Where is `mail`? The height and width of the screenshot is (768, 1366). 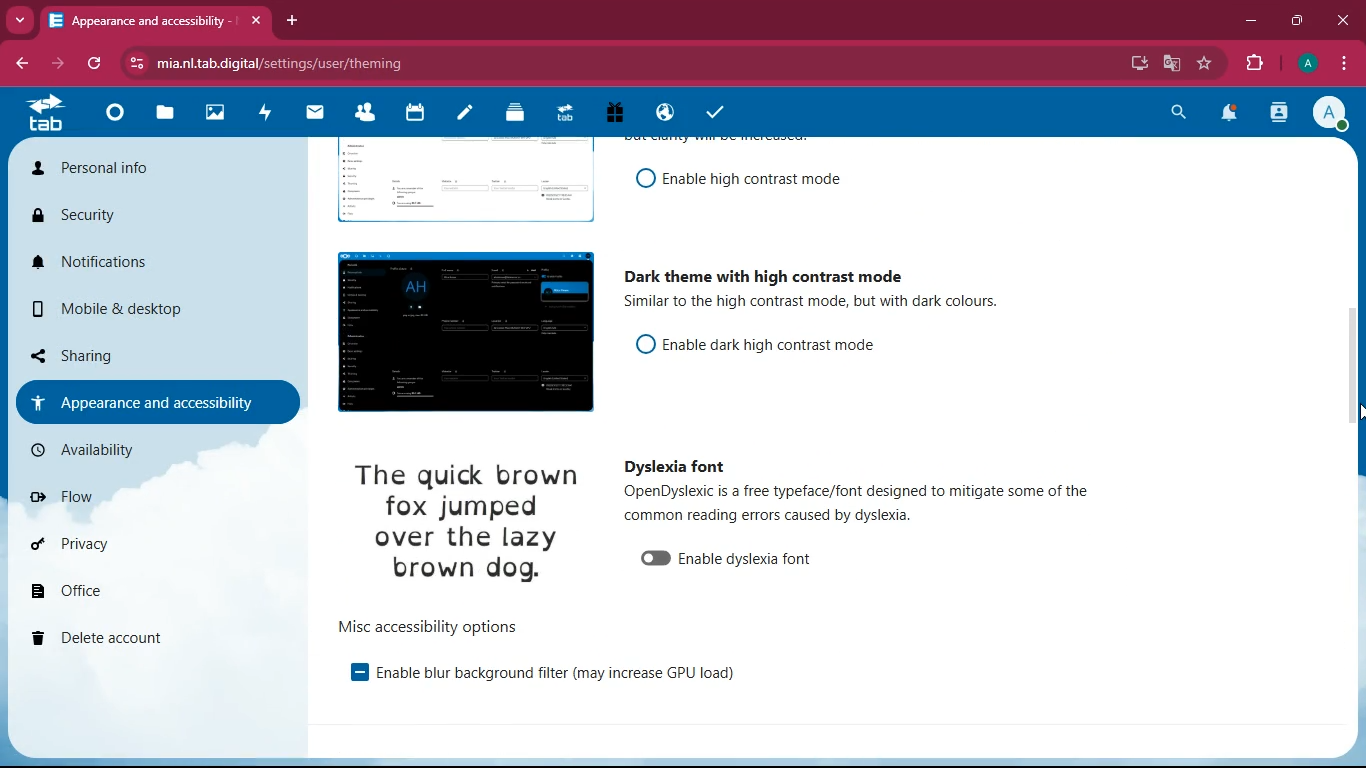 mail is located at coordinates (320, 115).